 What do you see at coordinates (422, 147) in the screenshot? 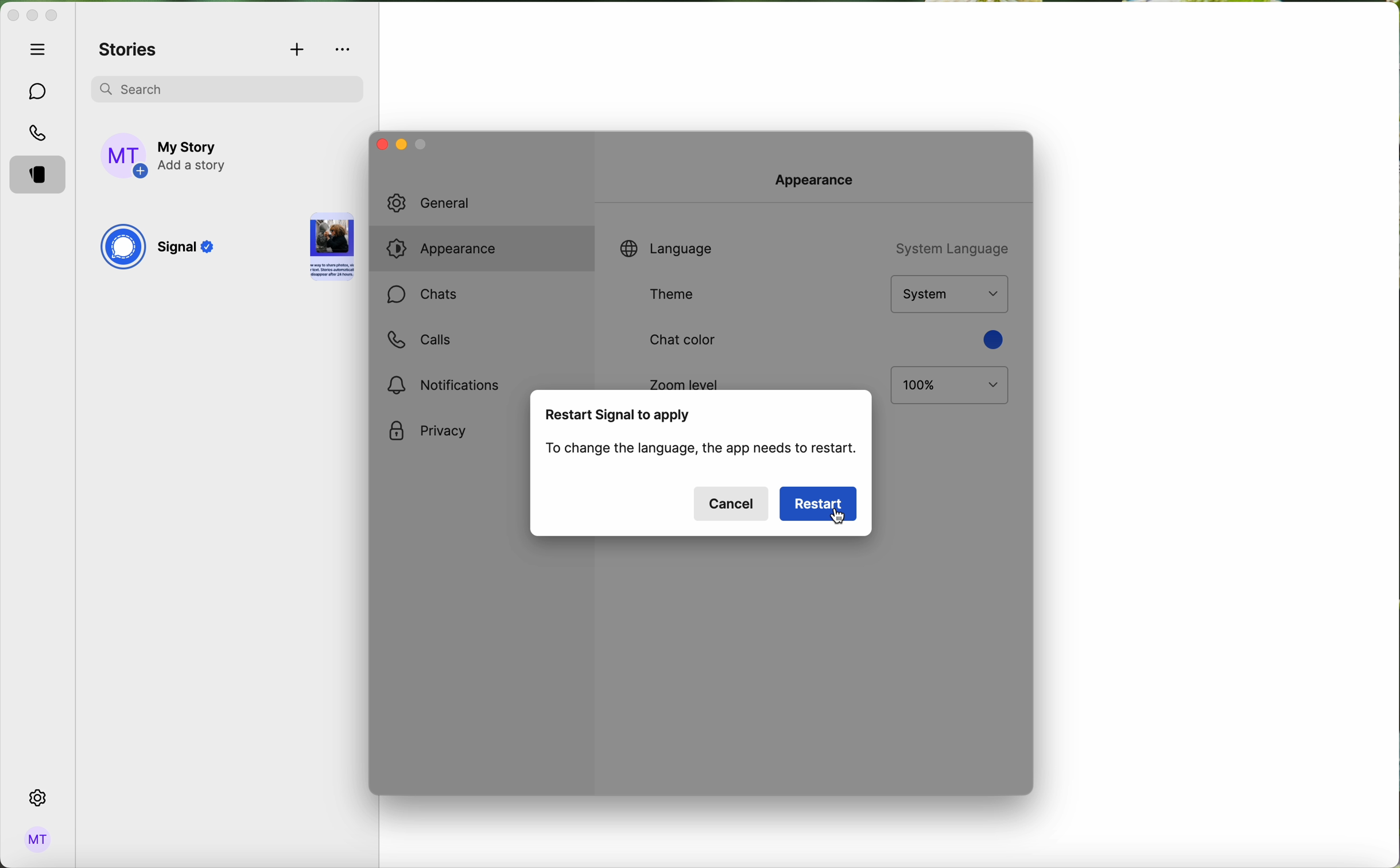
I see `minimise` at bounding box center [422, 147].